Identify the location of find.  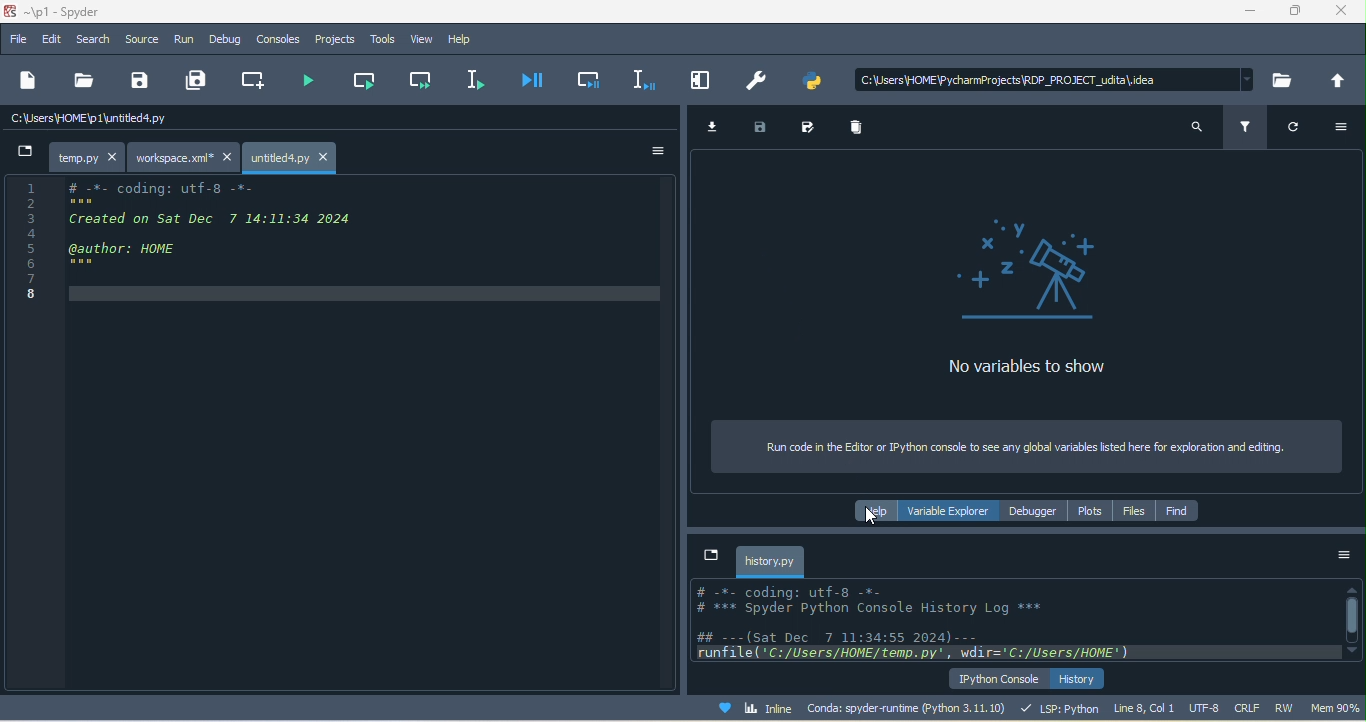
(1179, 513).